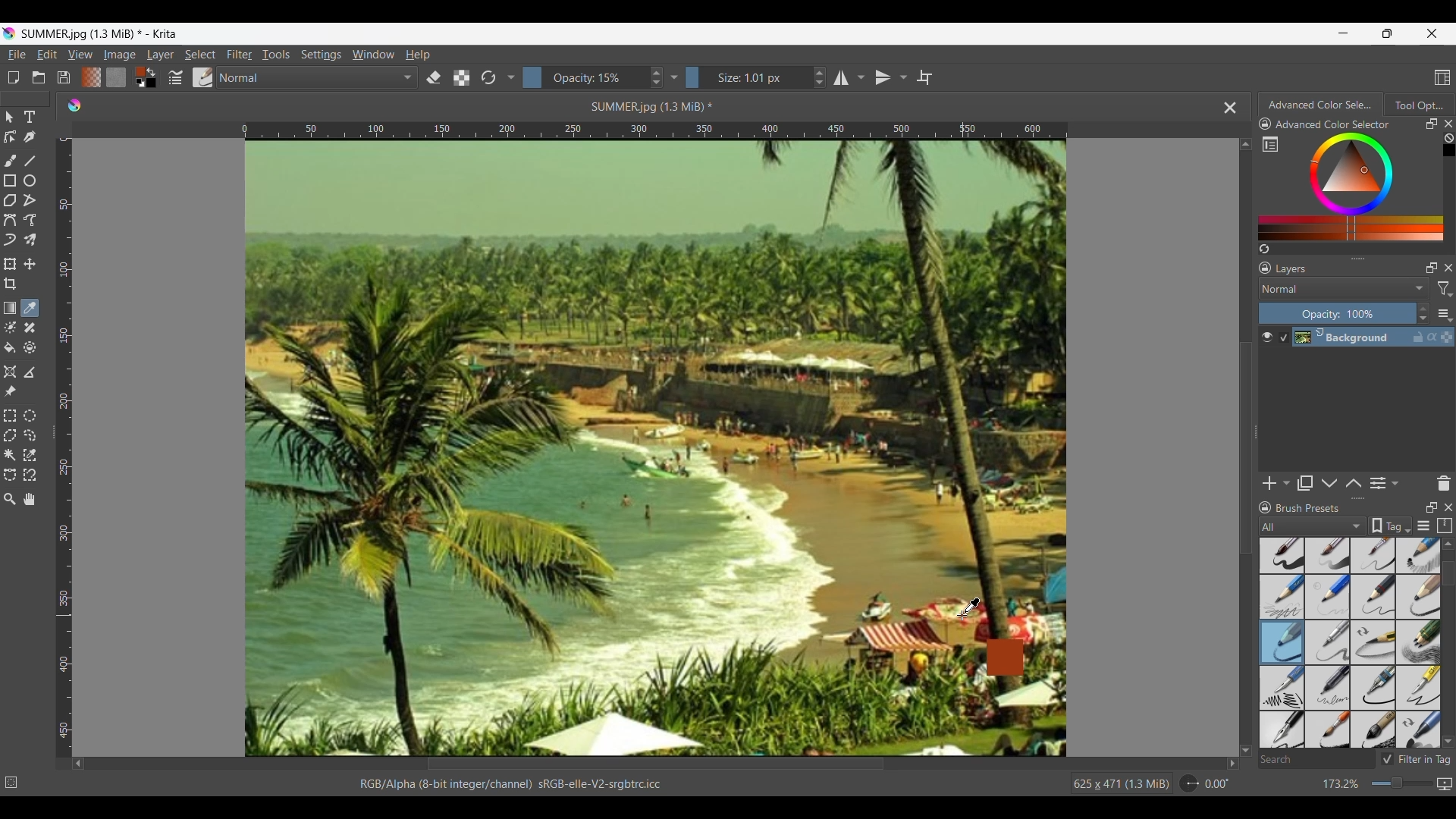 The width and height of the screenshot is (1456, 819). What do you see at coordinates (1444, 314) in the screenshot?
I see `Layer settings` at bounding box center [1444, 314].